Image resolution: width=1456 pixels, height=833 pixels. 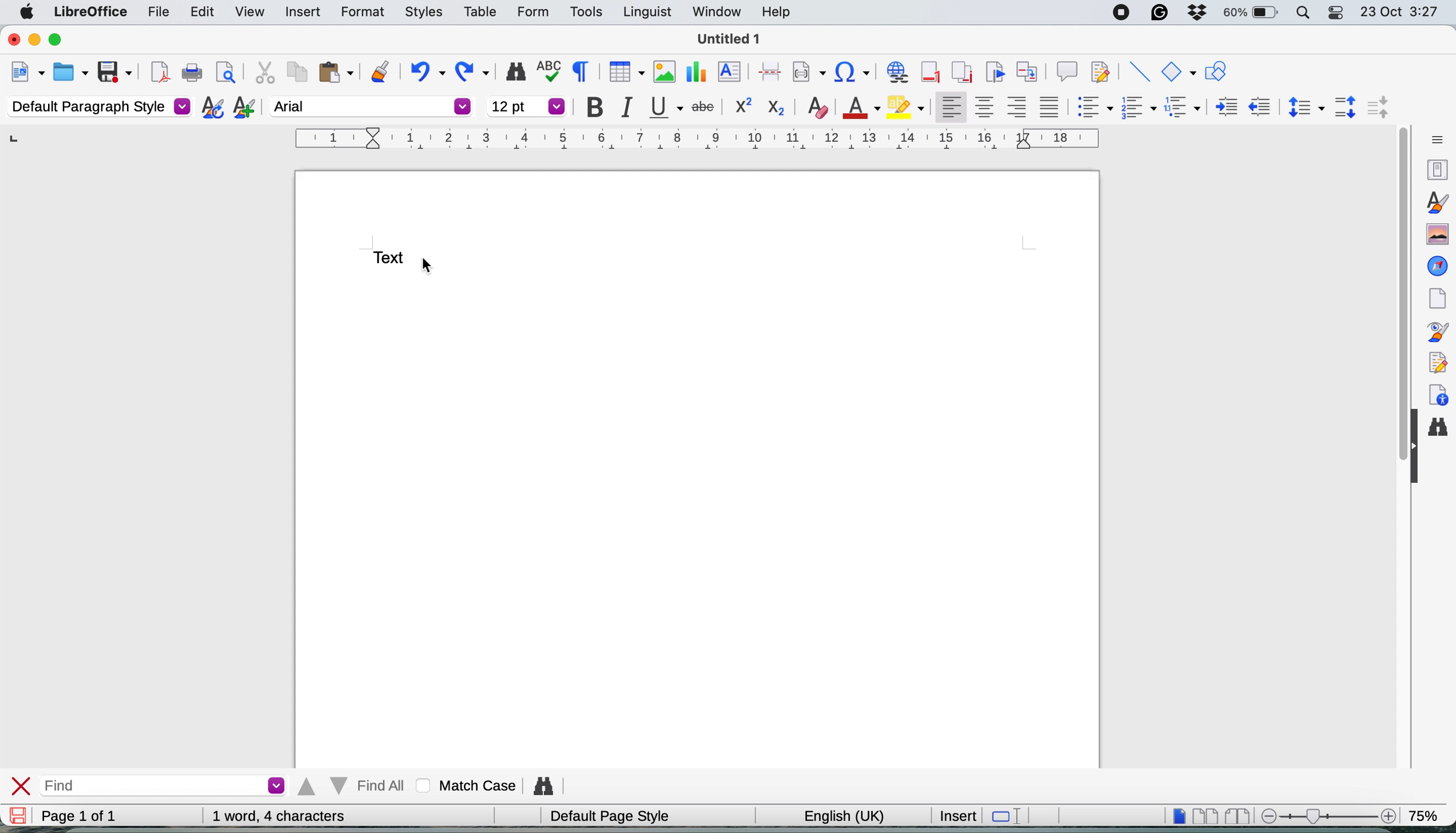 I want to click on form, so click(x=531, y=12).